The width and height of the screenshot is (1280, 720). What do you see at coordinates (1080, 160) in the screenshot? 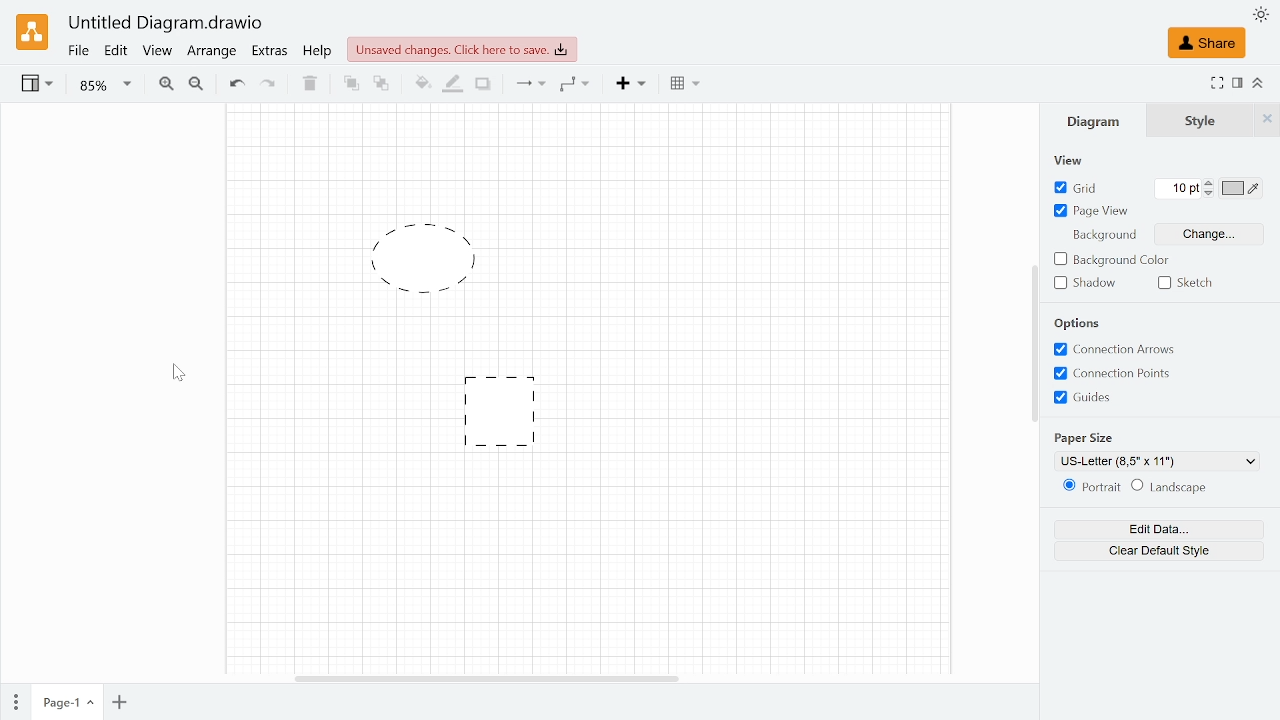
I see `View` at bounding box center [1080, 160].